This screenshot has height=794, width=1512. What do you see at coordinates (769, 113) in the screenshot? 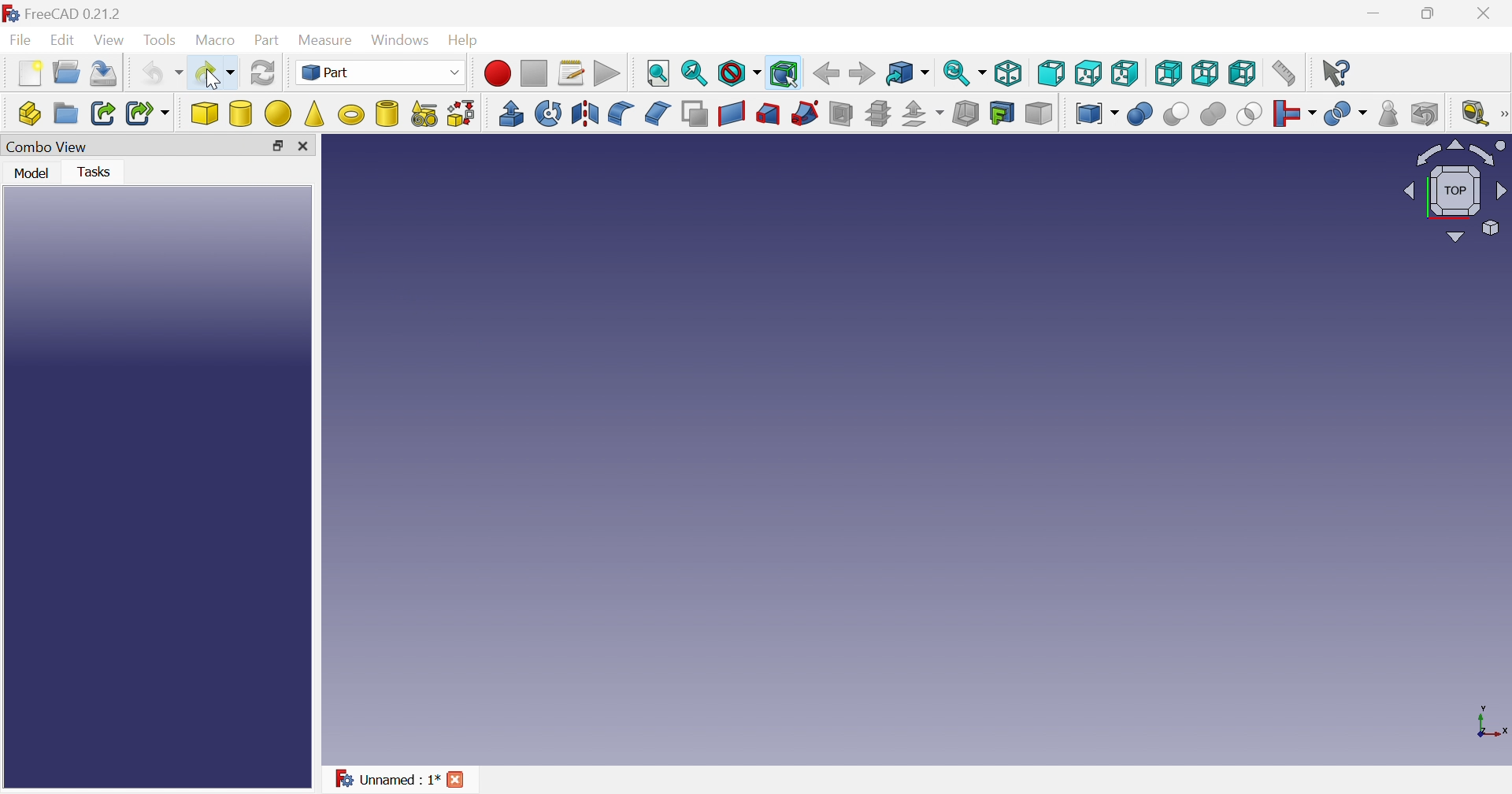
I see `Loft...` at bounding box center [769, 113].